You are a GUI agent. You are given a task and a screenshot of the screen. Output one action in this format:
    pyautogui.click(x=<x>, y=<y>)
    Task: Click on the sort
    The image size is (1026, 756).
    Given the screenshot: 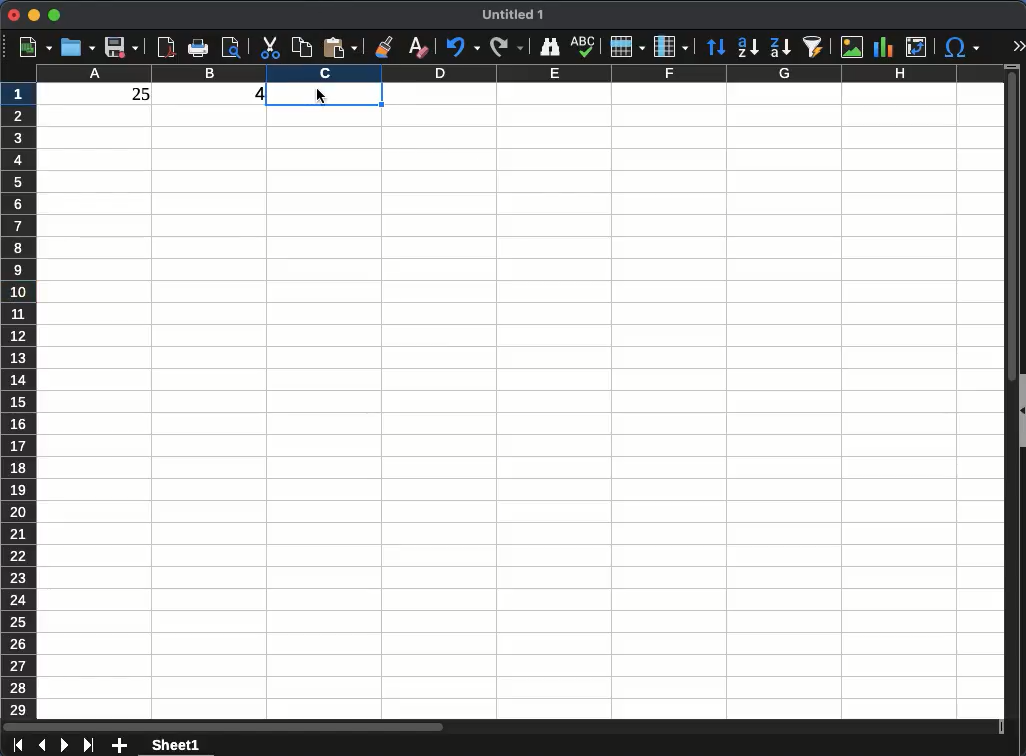 What is the action you would take?
    pyautogui.click(x=718, y=47)
    